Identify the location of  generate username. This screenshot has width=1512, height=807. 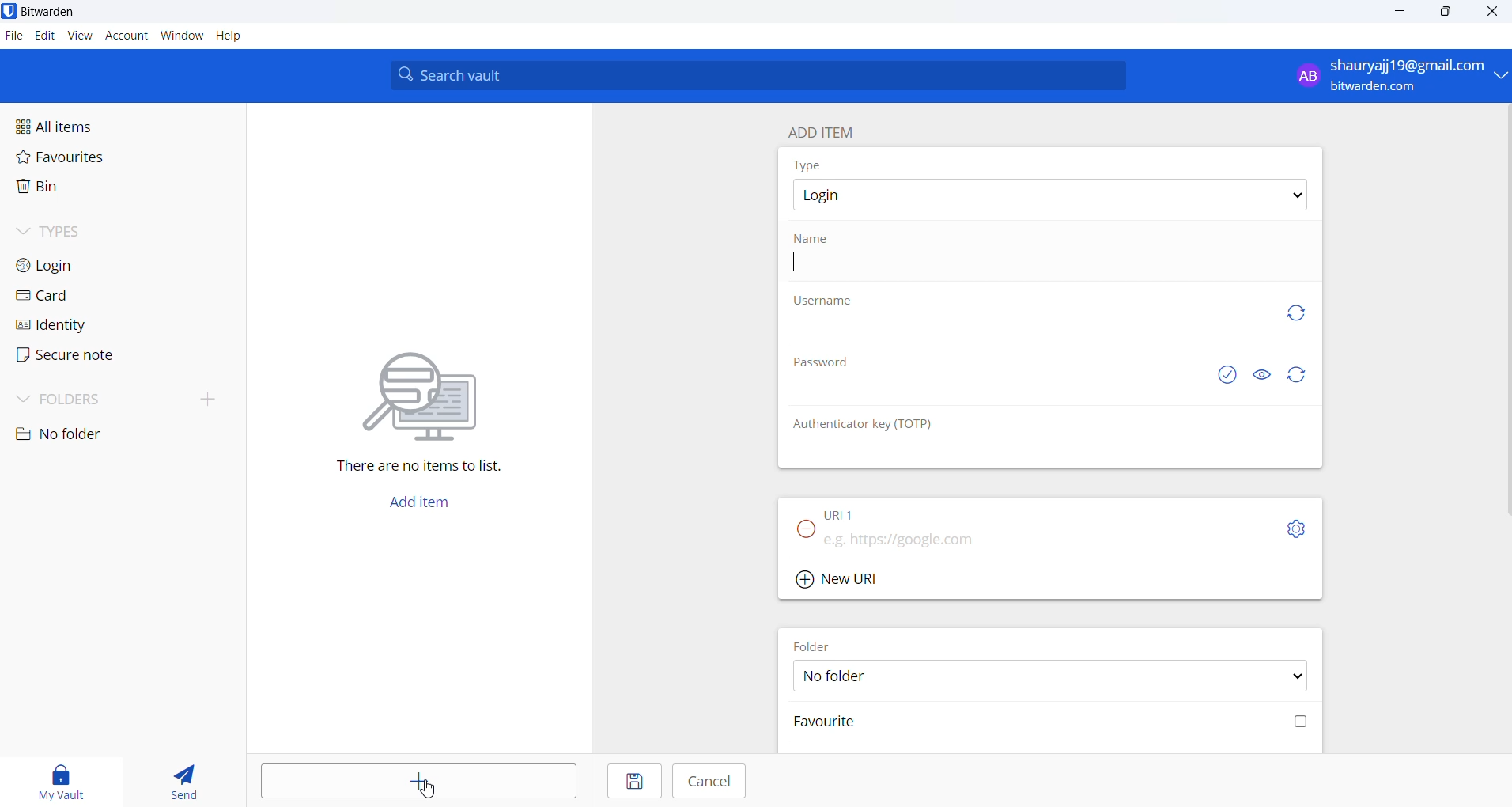
(1296, 311).